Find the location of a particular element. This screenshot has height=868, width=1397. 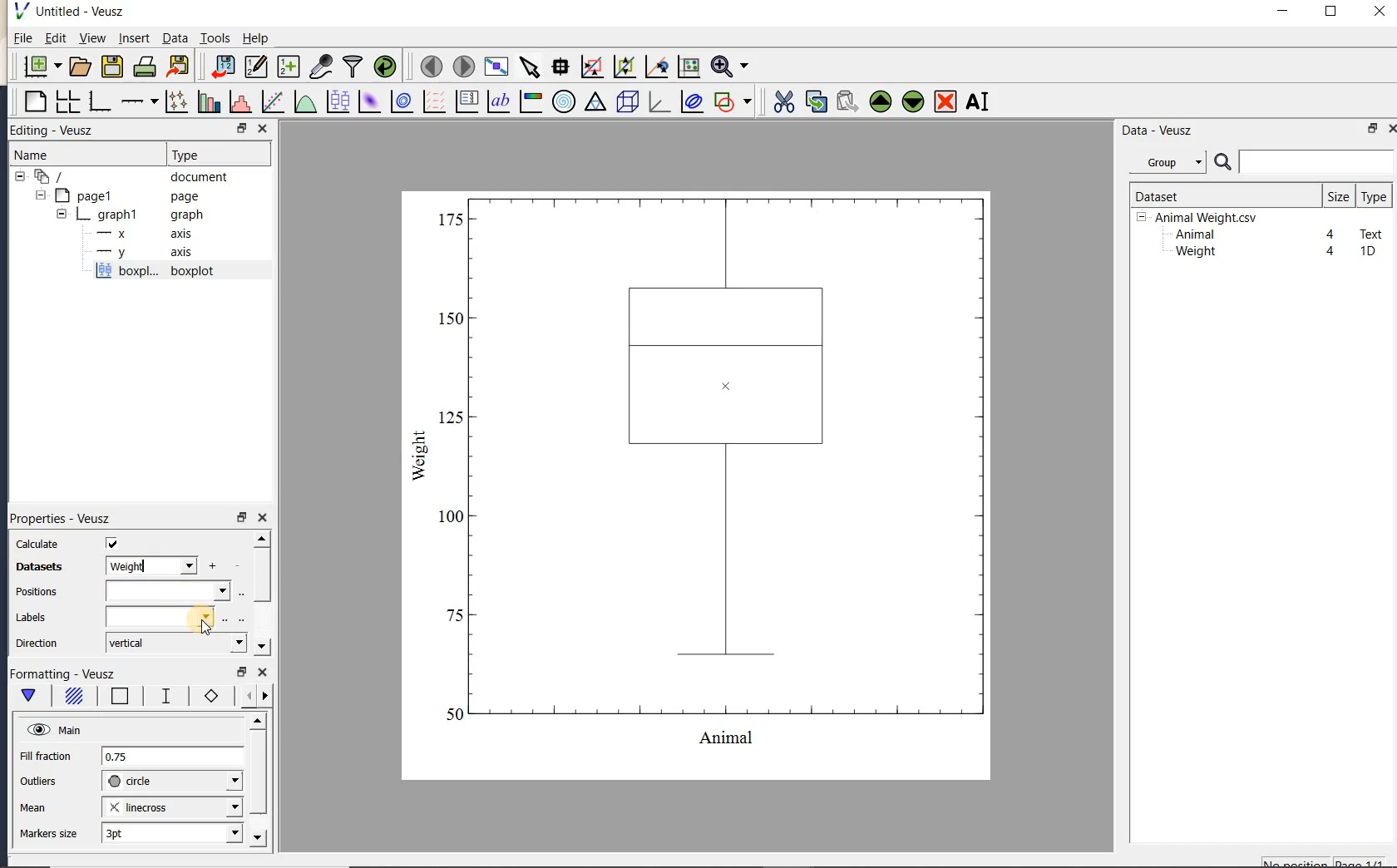

plot a vector field is located at coordinates (432, 102).